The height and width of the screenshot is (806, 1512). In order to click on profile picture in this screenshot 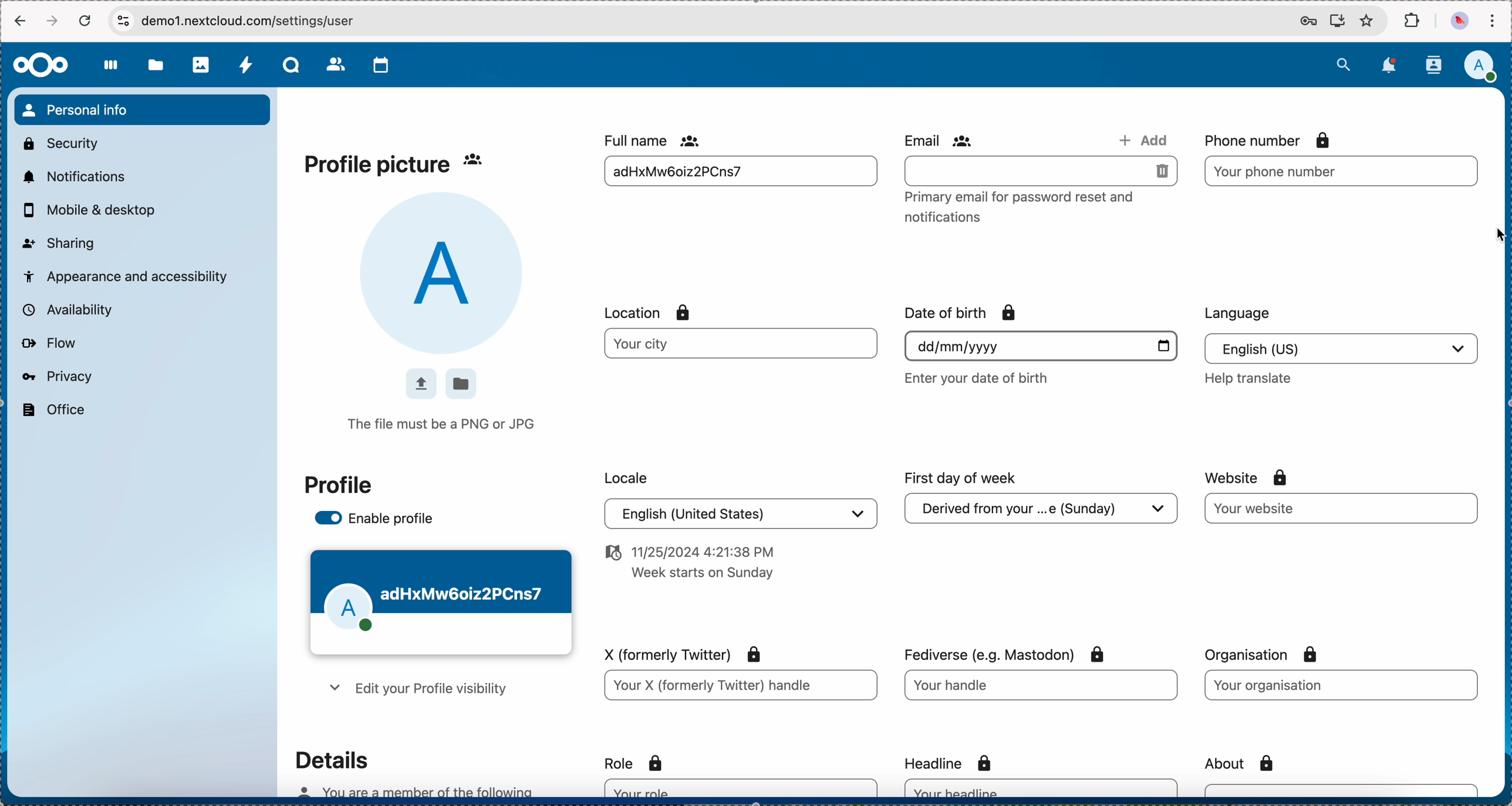, I will do `click(379, 165)`.